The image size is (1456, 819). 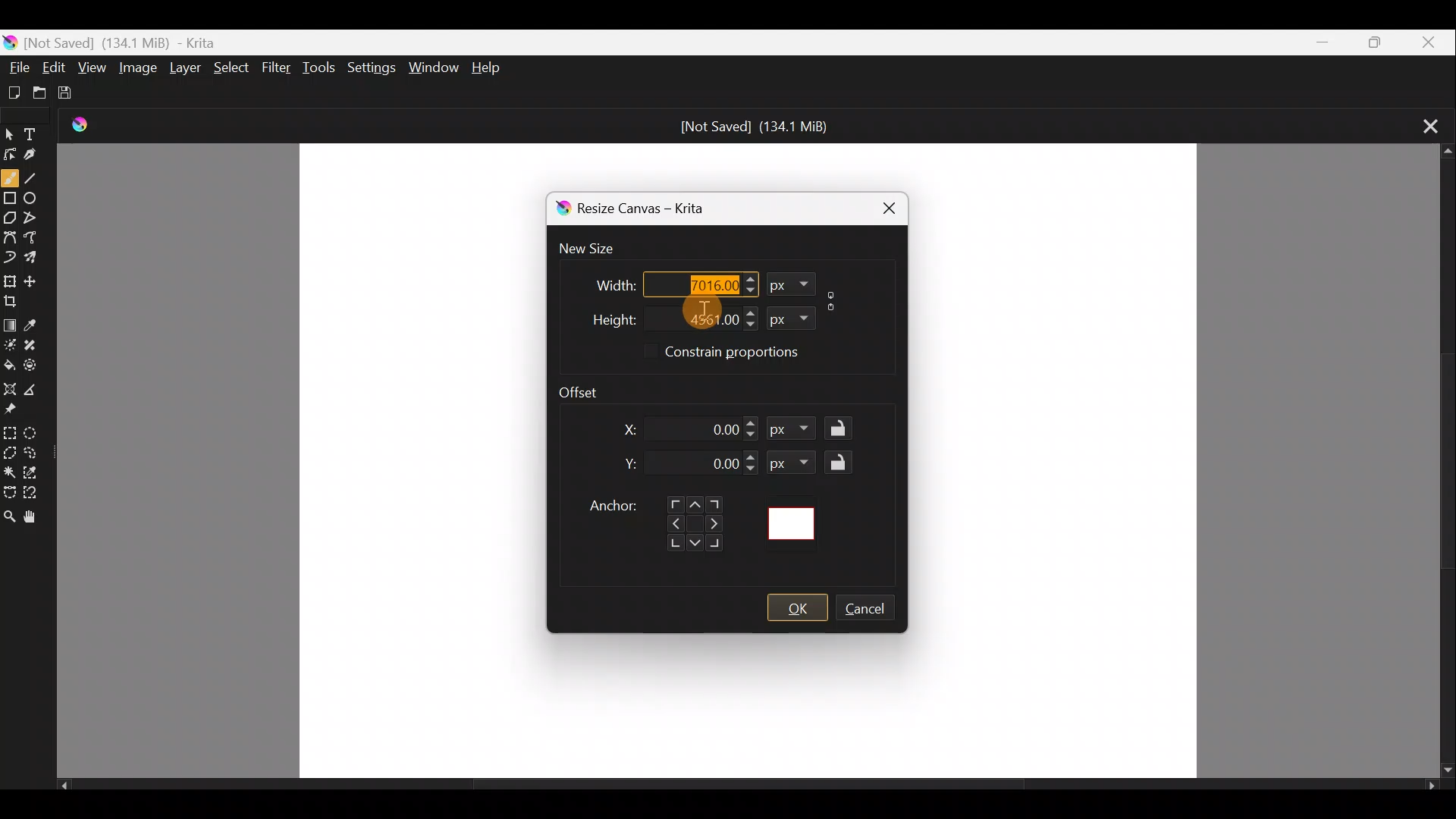 I want to click on [Not Saved] (134.1 MiB), so click(x=755, y=127).